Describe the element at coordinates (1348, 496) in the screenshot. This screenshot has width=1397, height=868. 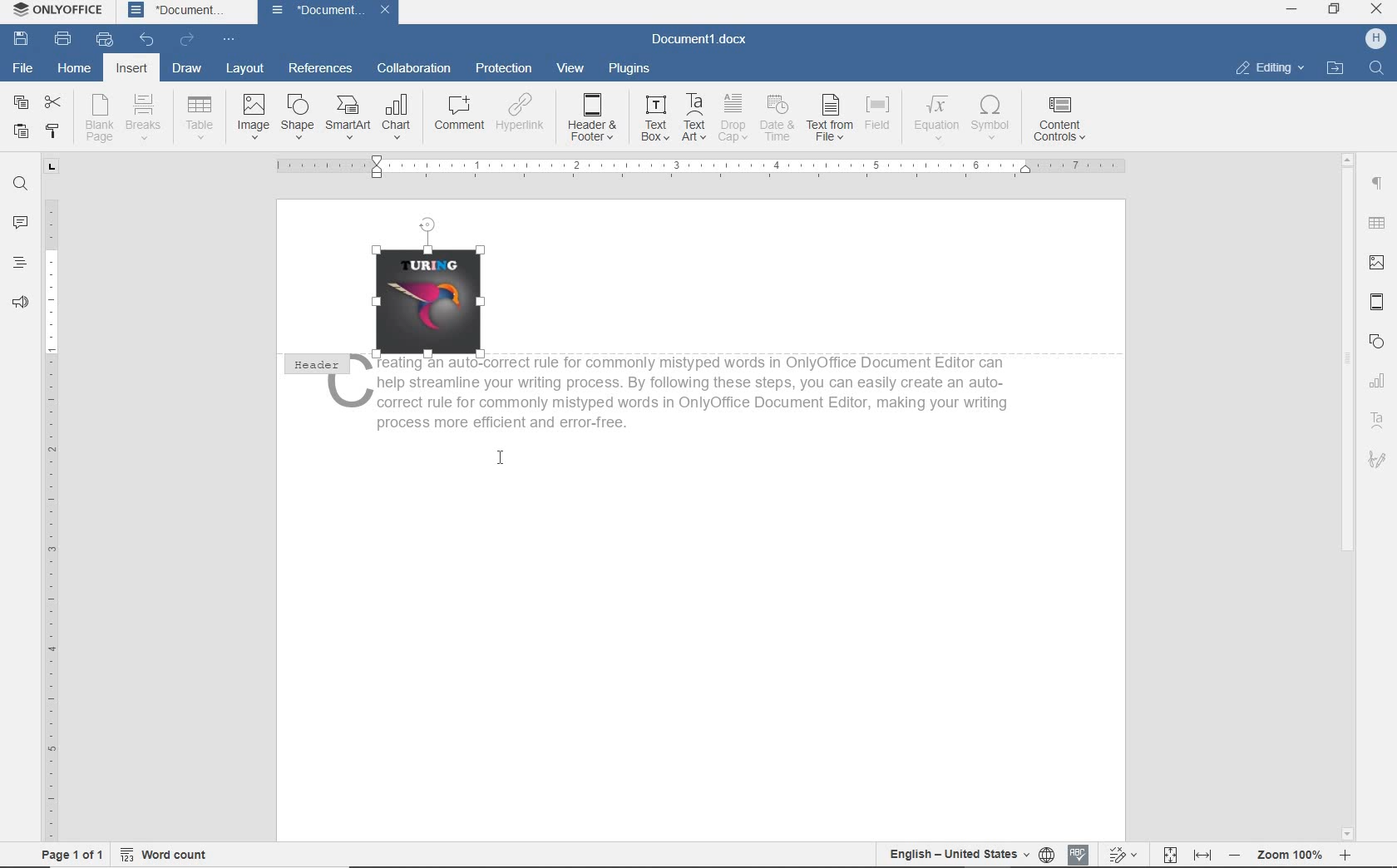
I see `SCROLLBAR` at that location.